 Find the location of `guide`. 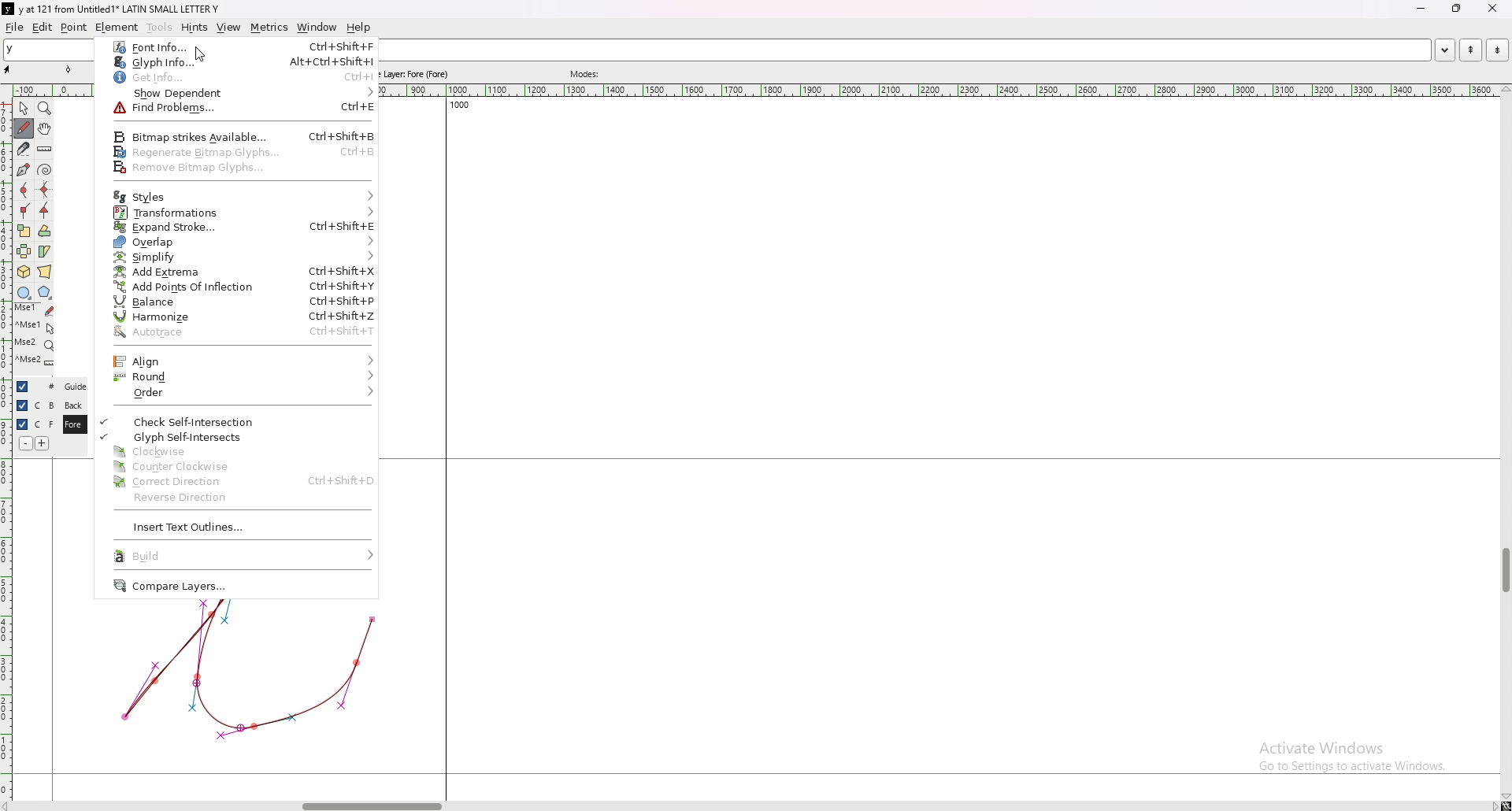

guide is located at coordinates (75, 387).